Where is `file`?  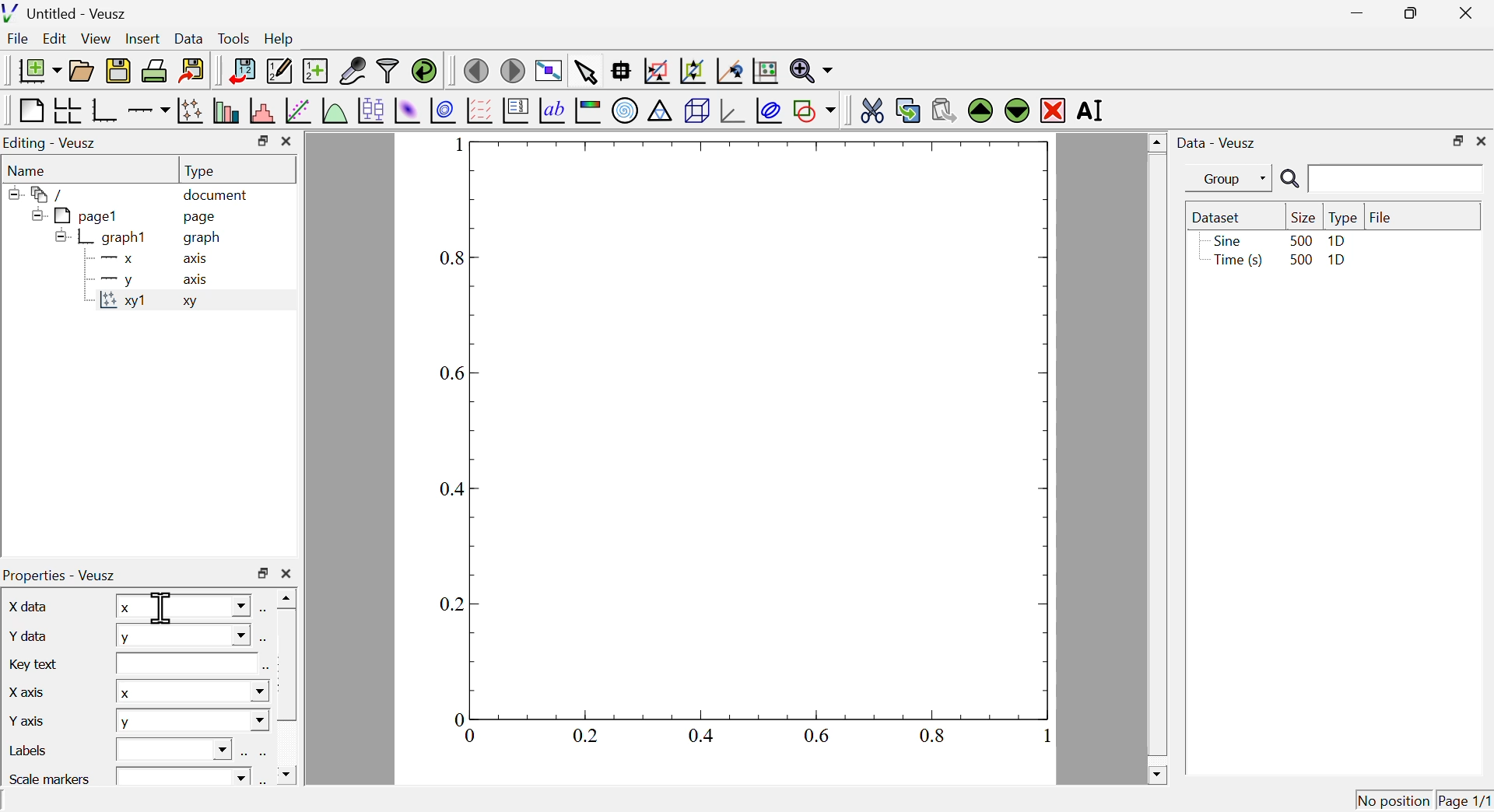 file is located at coordinates (1381, 215).